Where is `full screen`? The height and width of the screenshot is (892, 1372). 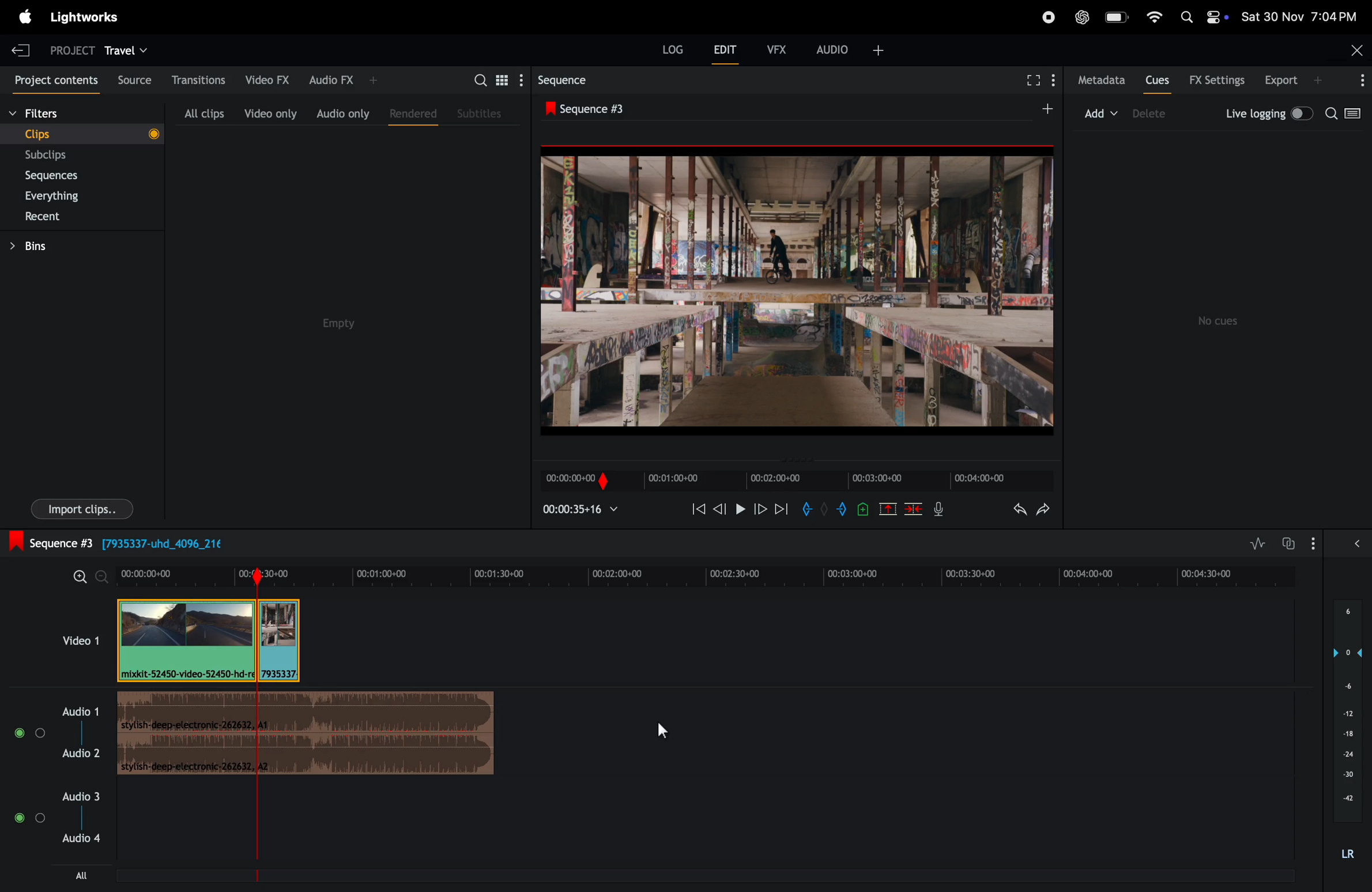 full screen is located at coordinates (1032, 82).